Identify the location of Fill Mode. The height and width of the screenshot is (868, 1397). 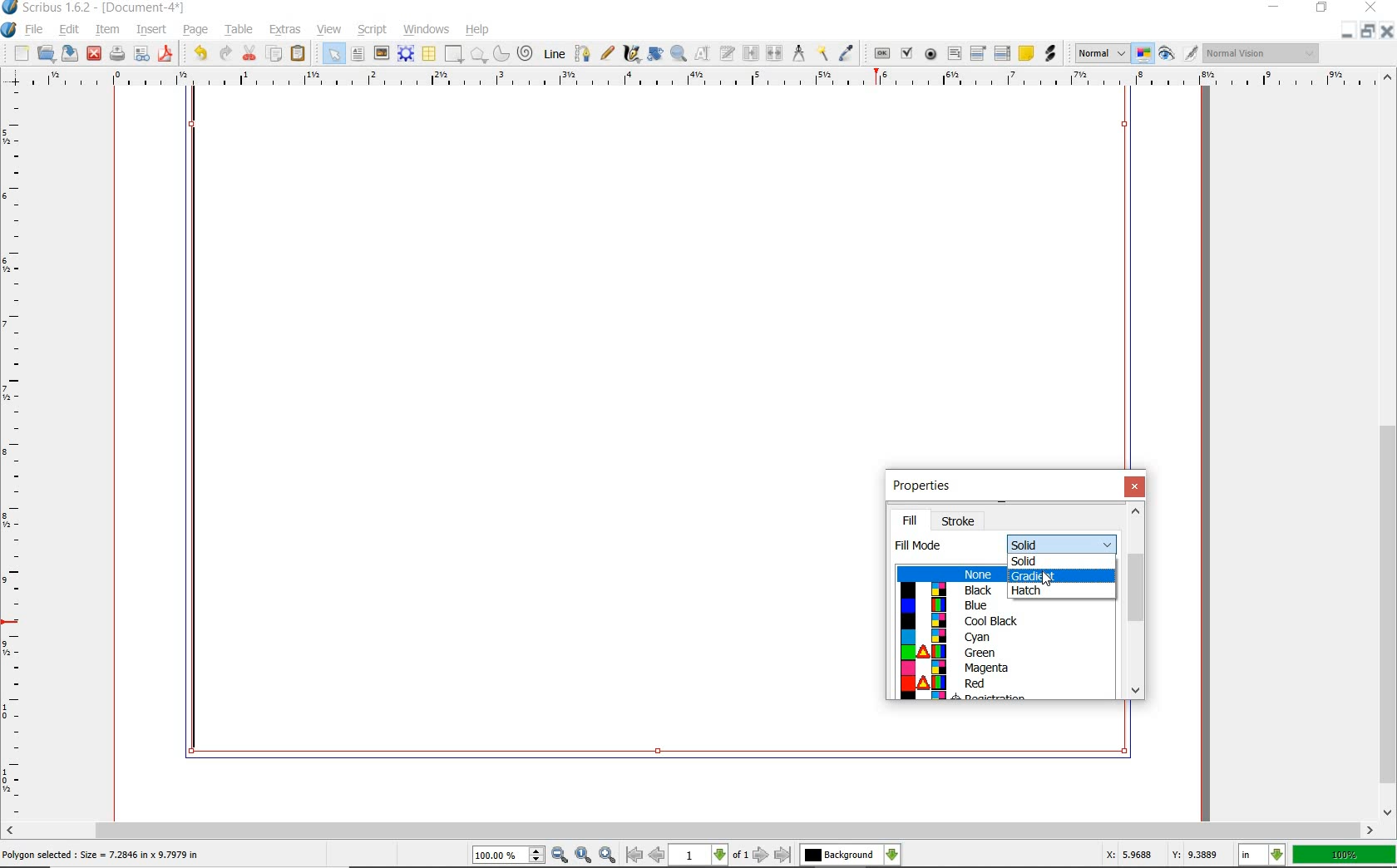
(923, 546).